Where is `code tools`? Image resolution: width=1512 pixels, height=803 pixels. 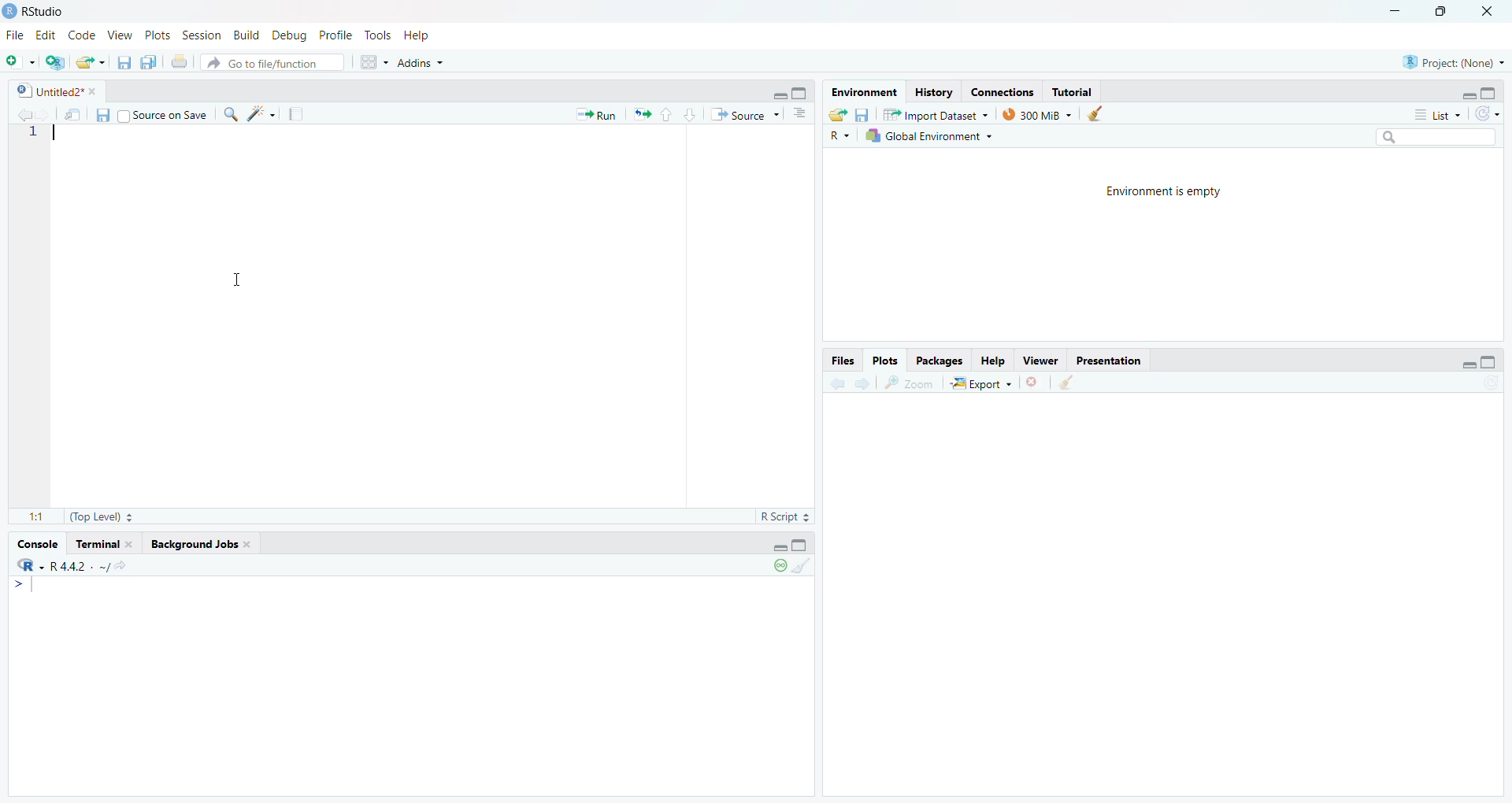
code tools is located at coordinates (262, 115).